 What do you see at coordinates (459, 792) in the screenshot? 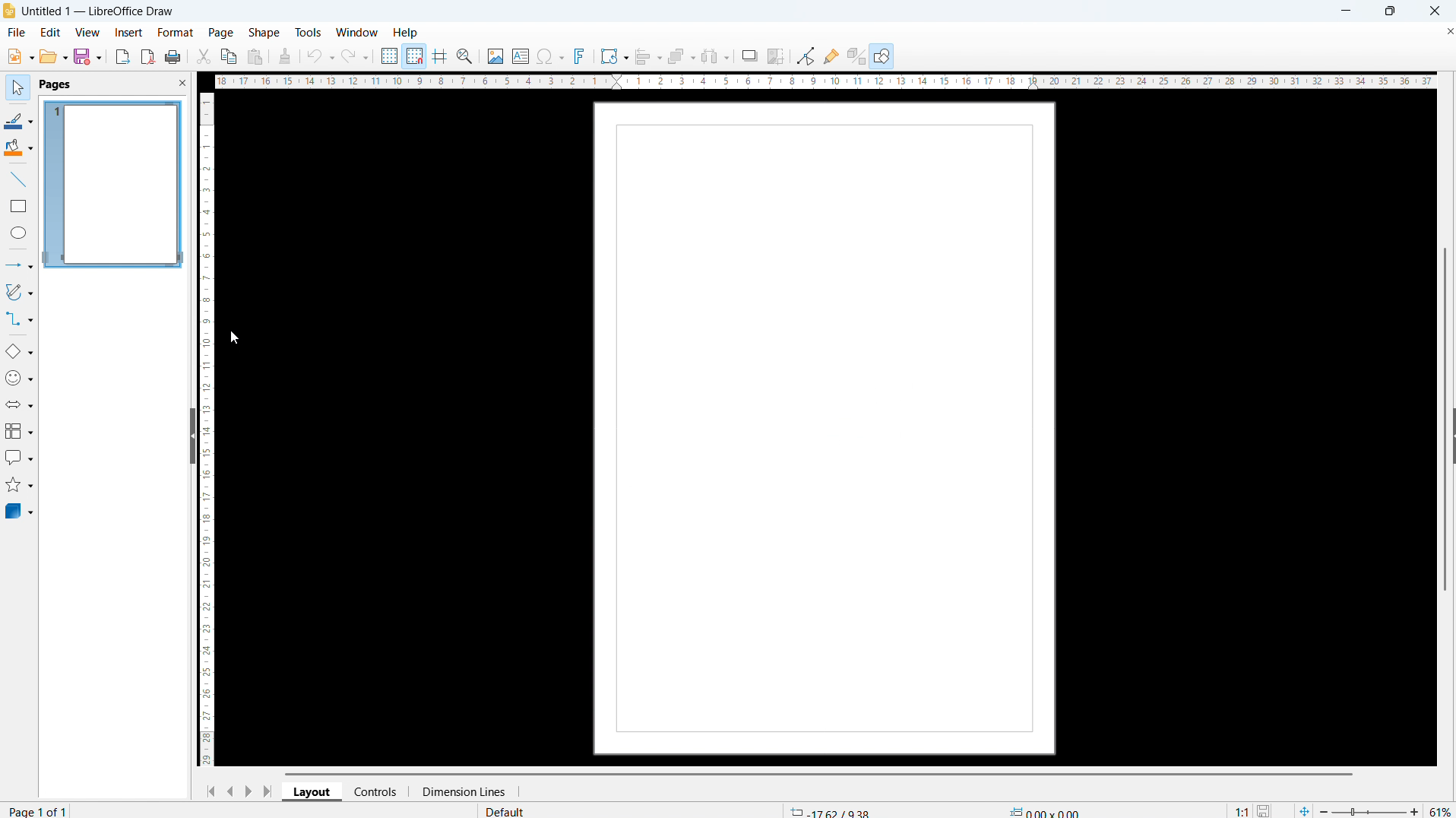
I see `dimension lines` at bounding box center [459, 792].